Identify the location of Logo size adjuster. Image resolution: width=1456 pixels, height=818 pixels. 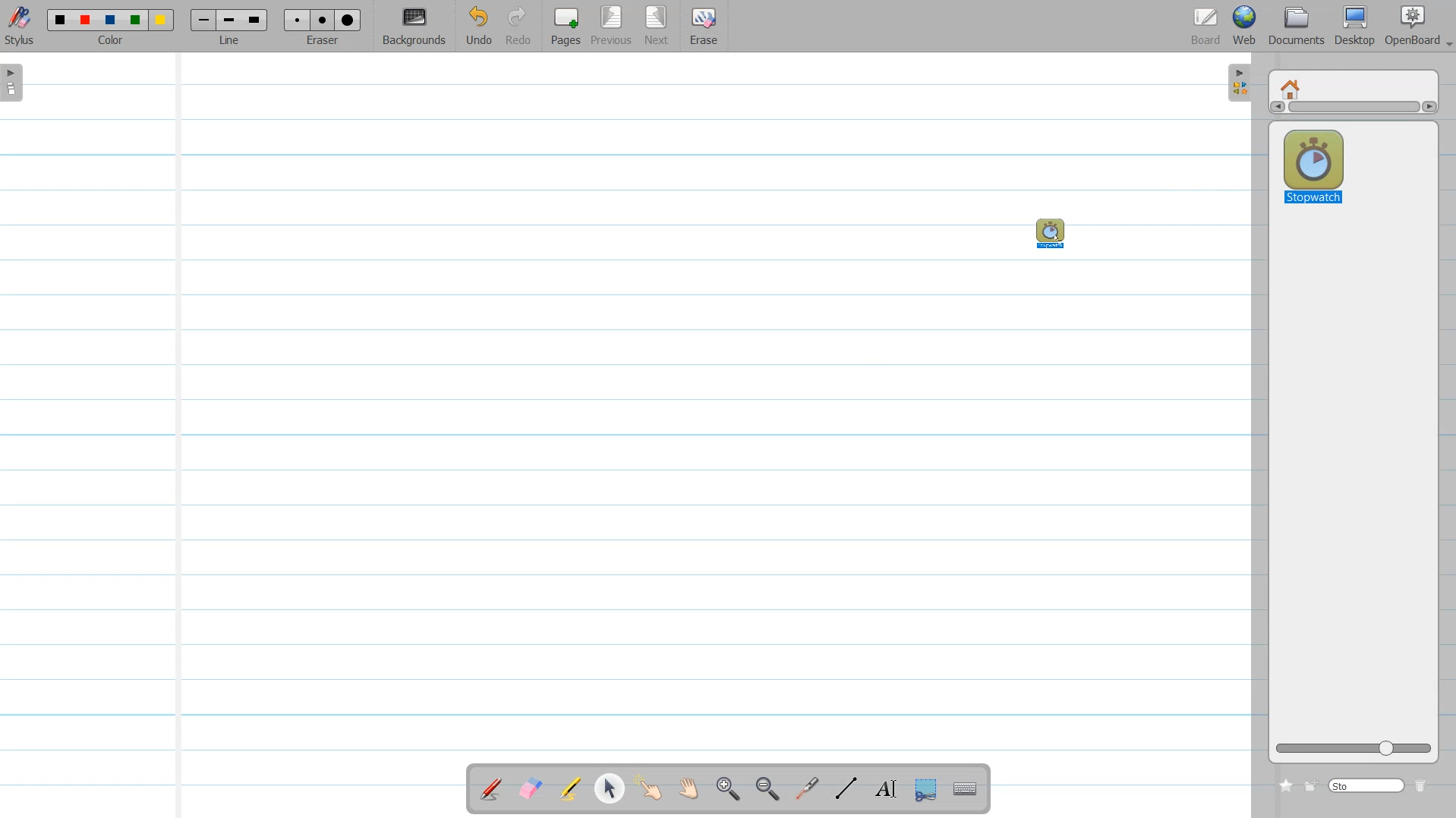
(1354, 749).